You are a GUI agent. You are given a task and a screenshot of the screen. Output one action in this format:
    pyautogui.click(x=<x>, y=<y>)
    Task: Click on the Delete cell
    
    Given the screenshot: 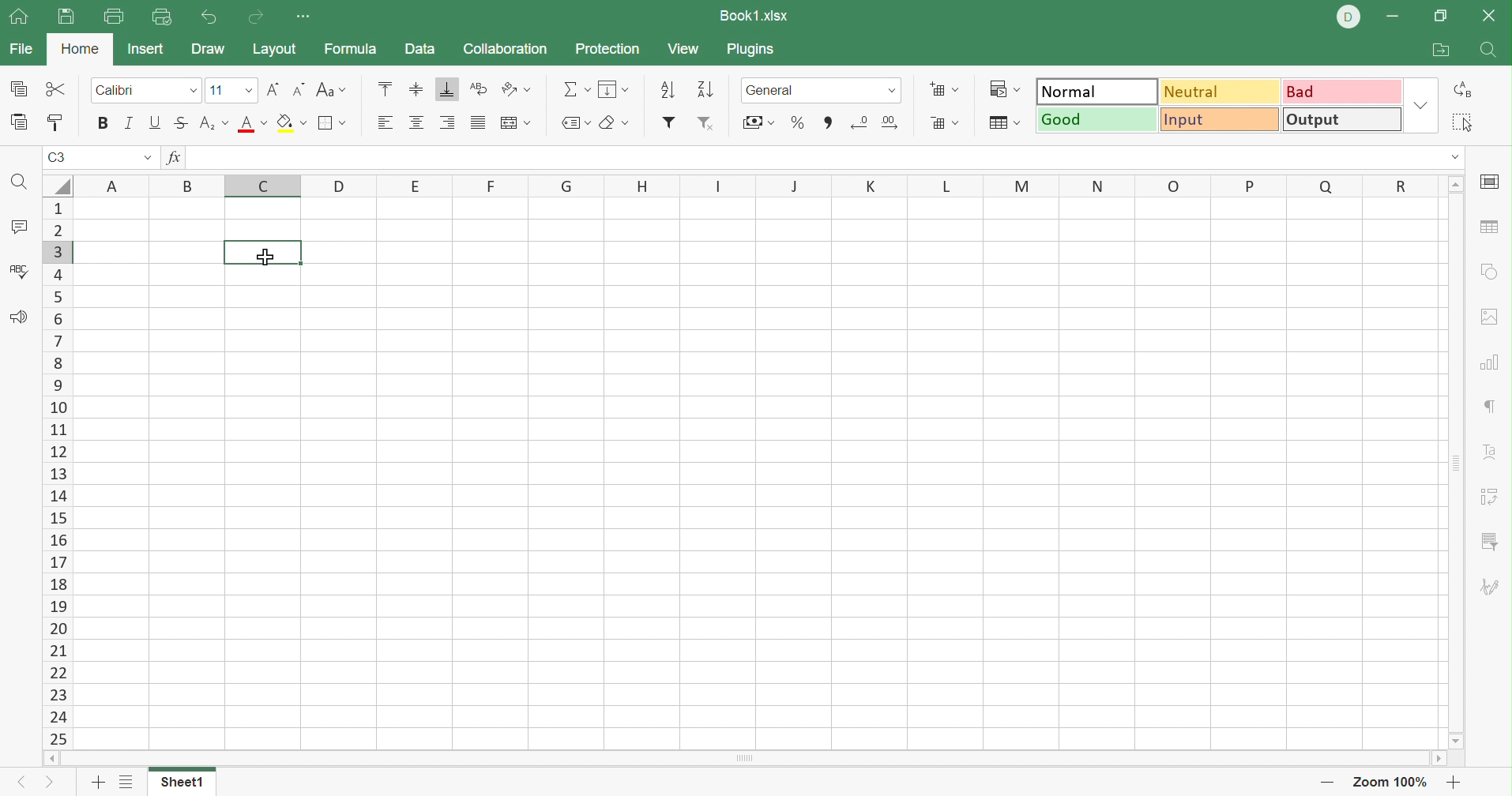 What is the action you would take?
    pyautogui.click(x=942, y=124)
    